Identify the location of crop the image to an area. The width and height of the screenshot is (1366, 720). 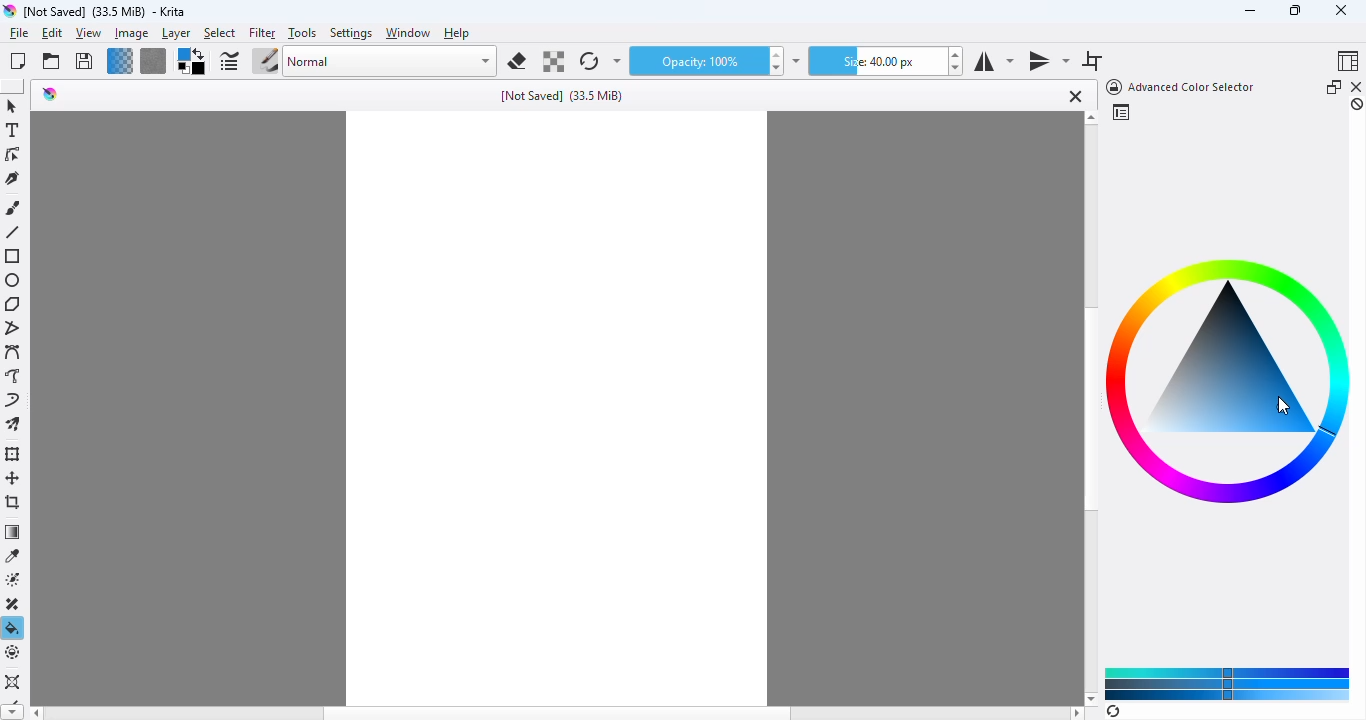
(14, 501).